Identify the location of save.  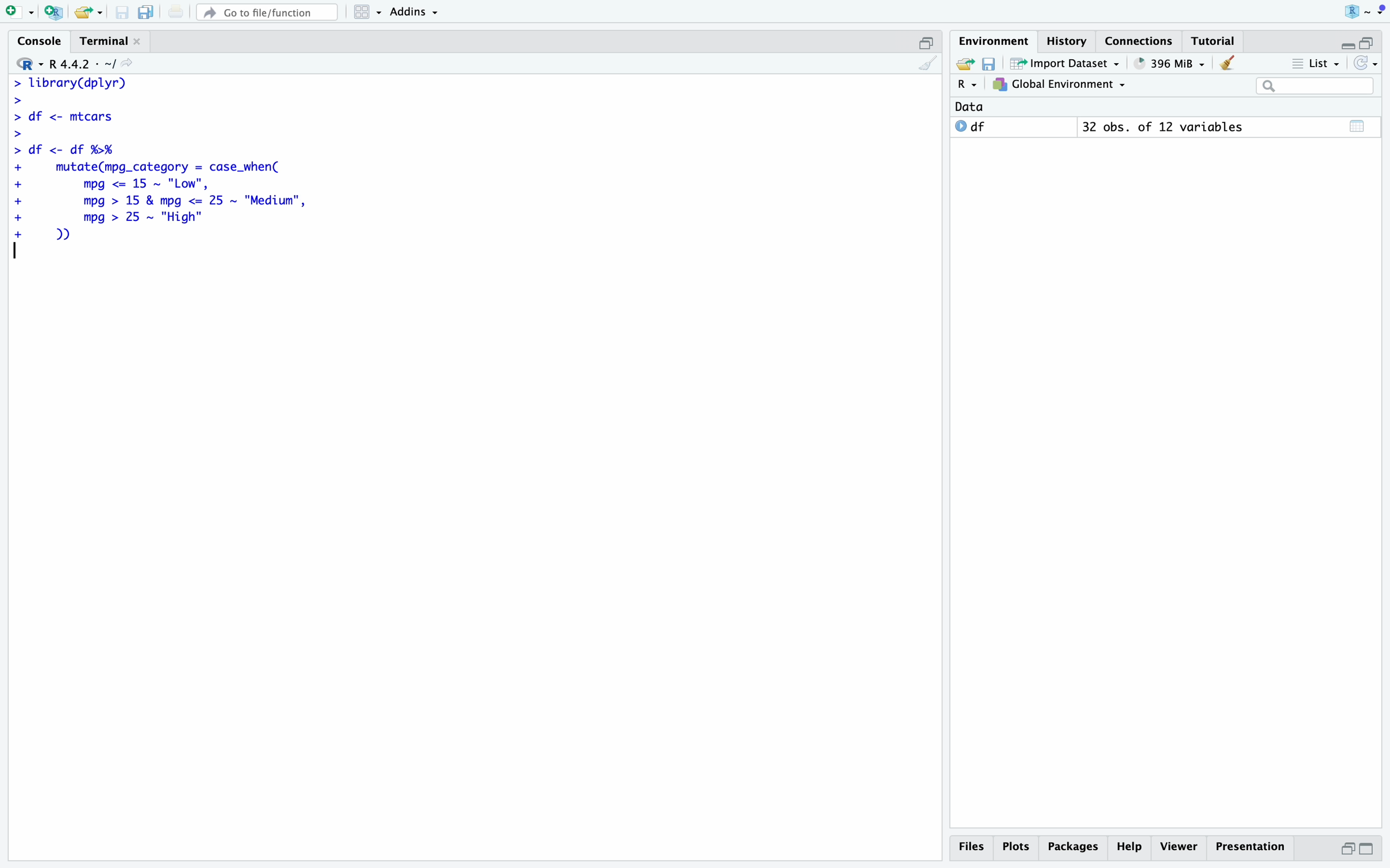
(989, 64).